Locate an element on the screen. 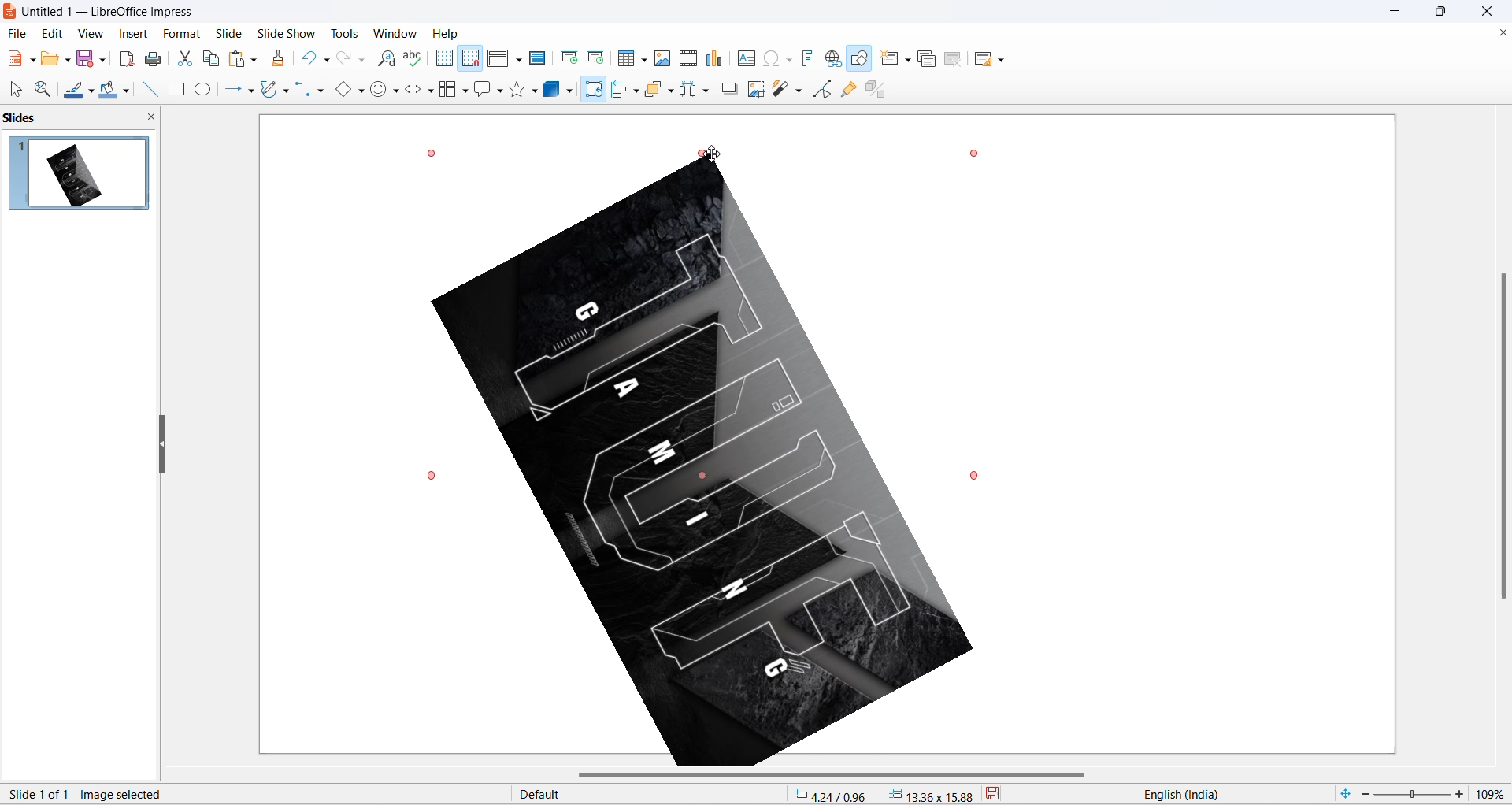  fit current slide to windows is located at coordinates (1343, 793).